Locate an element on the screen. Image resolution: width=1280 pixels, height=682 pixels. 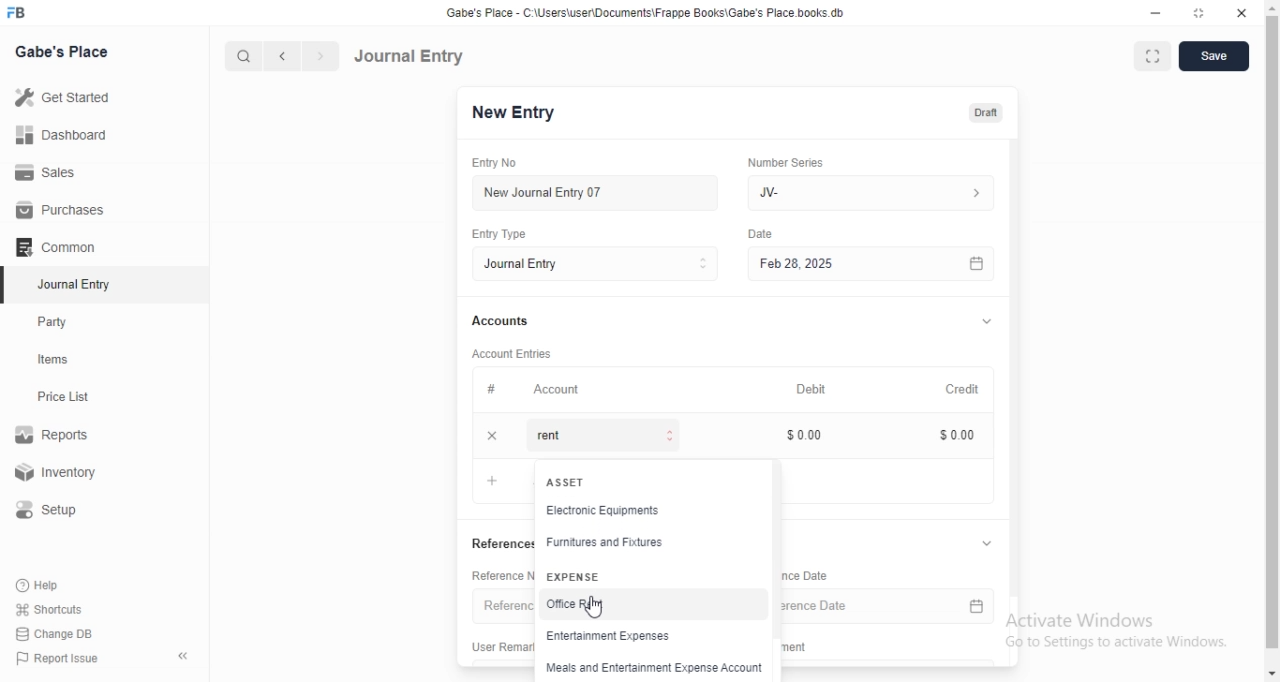
‘Report Issue is located at coordinates (55, 658).